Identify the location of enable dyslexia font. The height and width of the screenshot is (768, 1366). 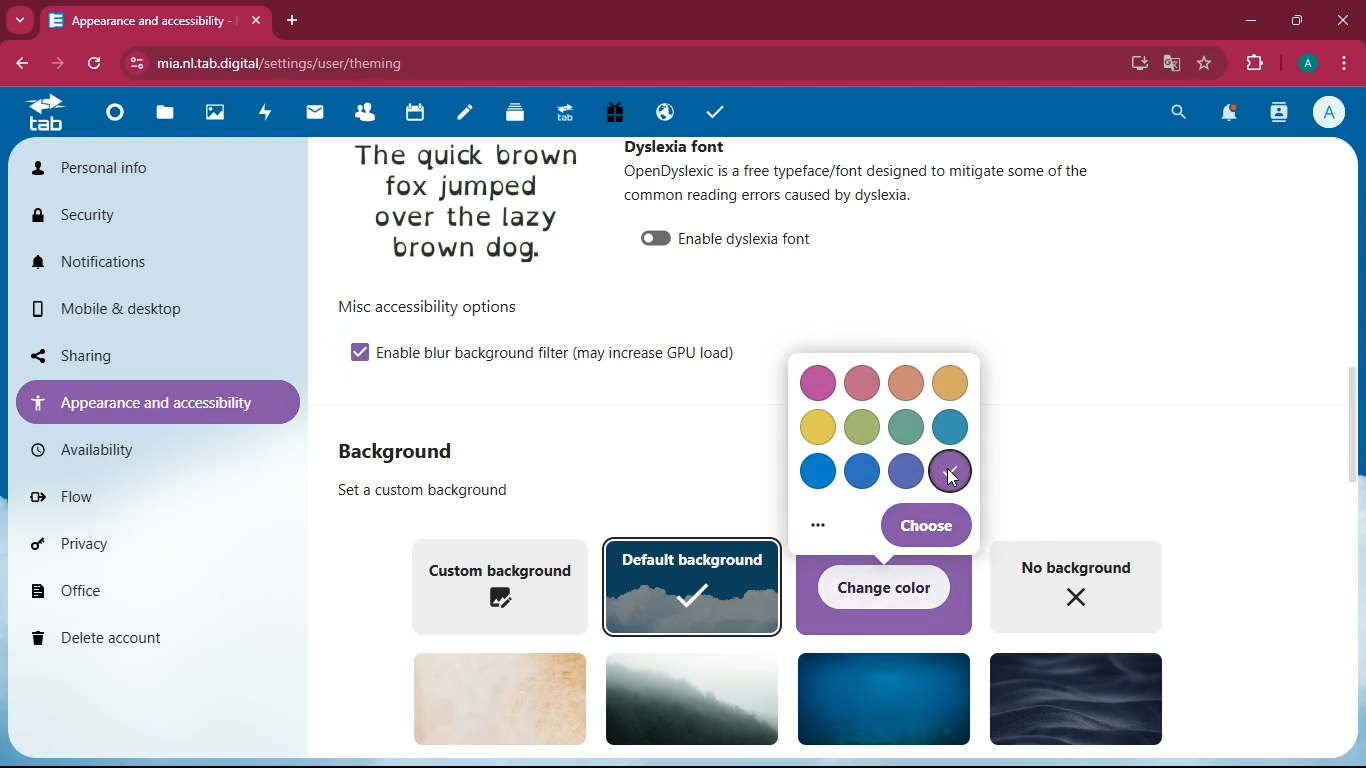
(753, 238).